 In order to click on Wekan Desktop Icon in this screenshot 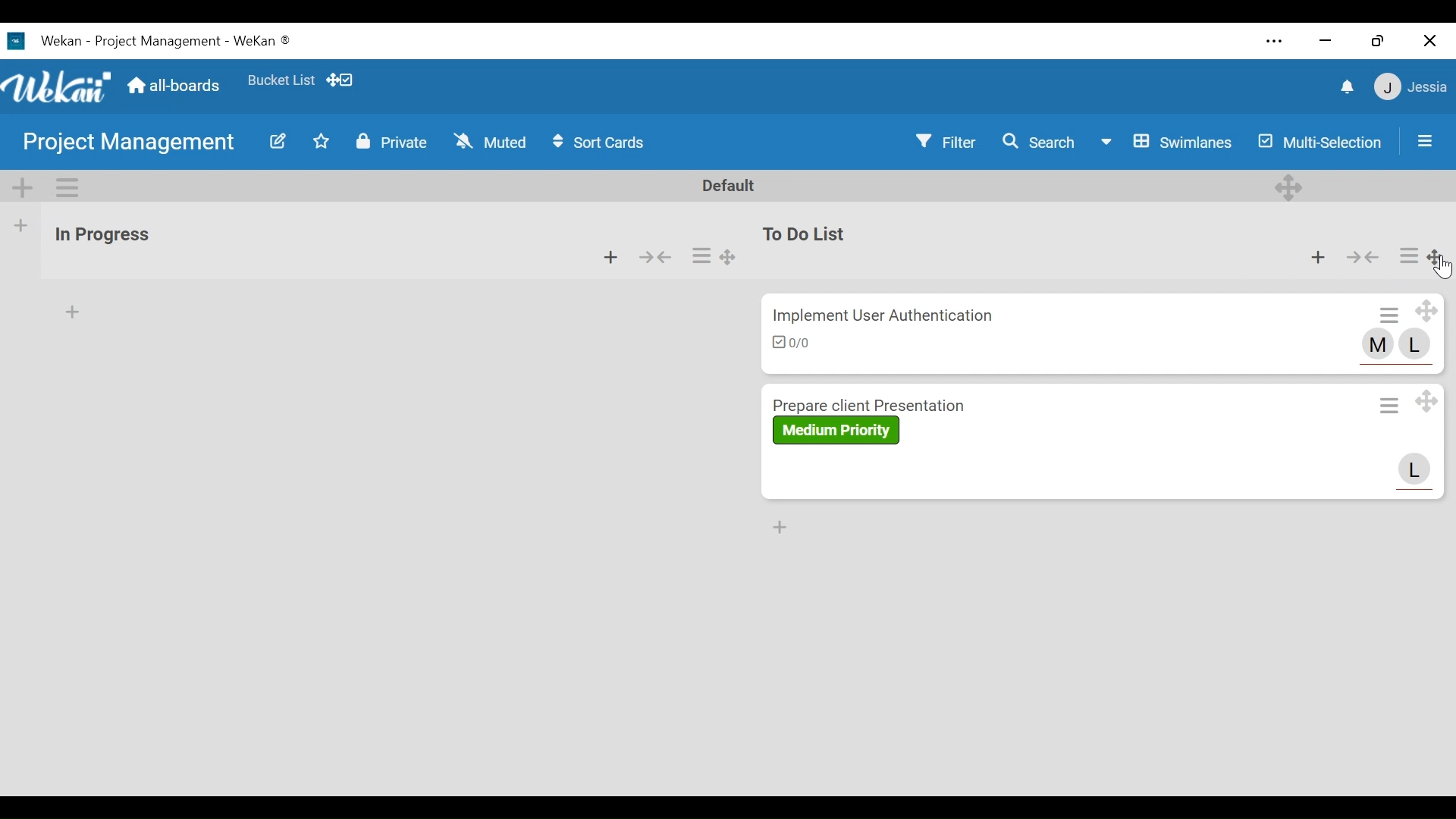, I will do `click(17, 42)`.